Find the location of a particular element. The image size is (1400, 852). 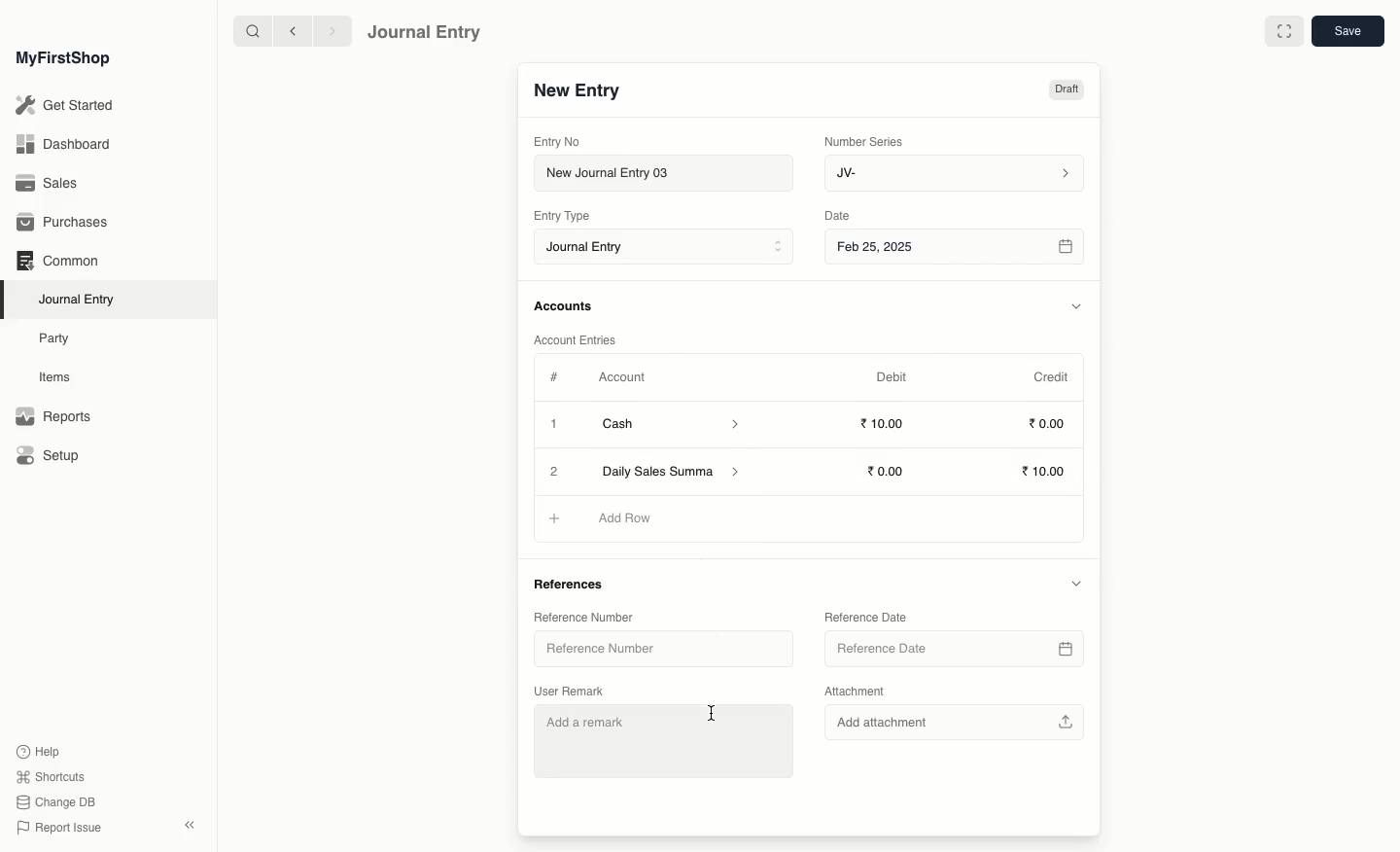

Account is located at coordinates (621, 377).